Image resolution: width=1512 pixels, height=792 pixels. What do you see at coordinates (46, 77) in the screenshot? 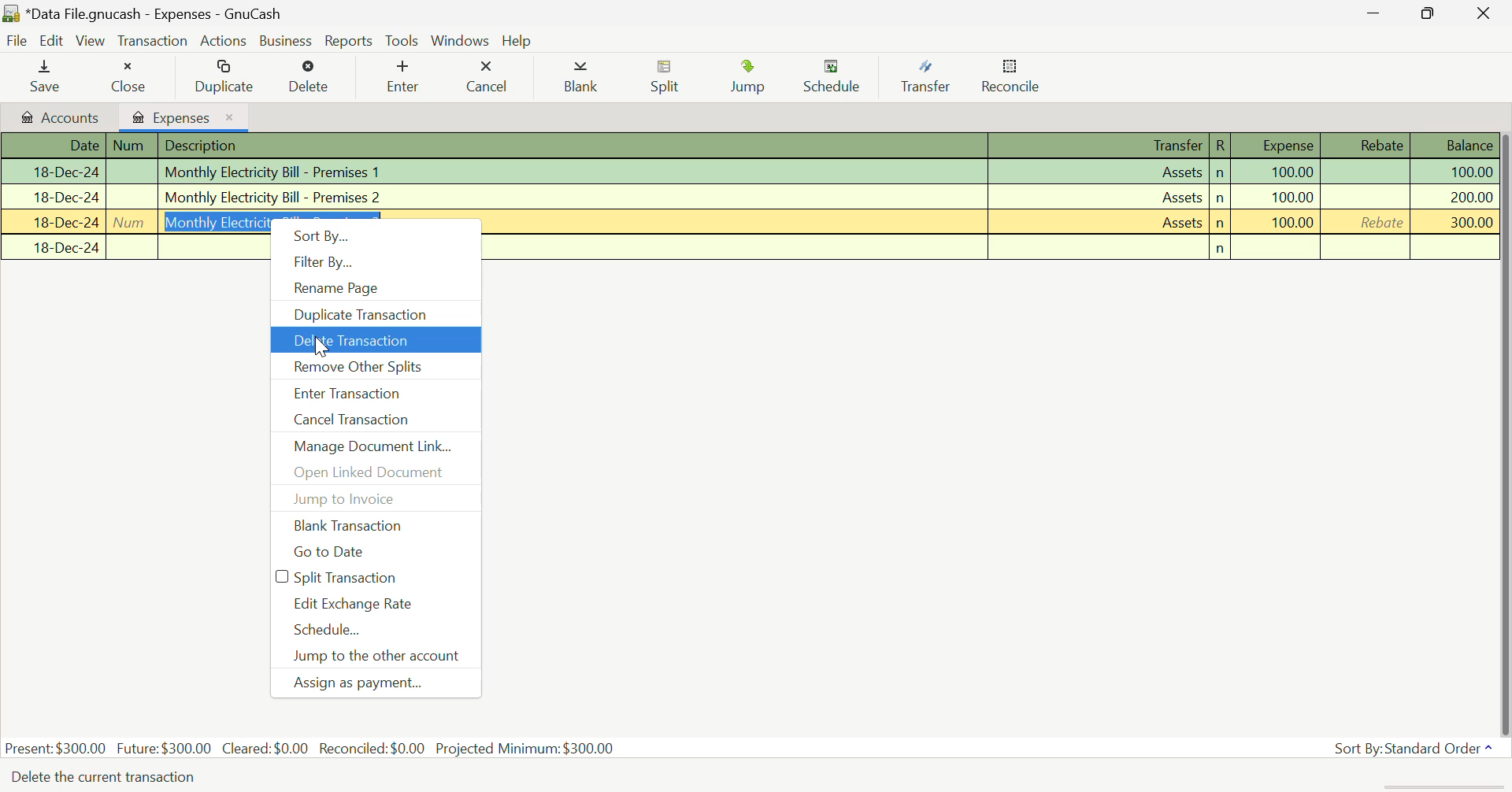
I see `Save` at bounding box center [46, 77].